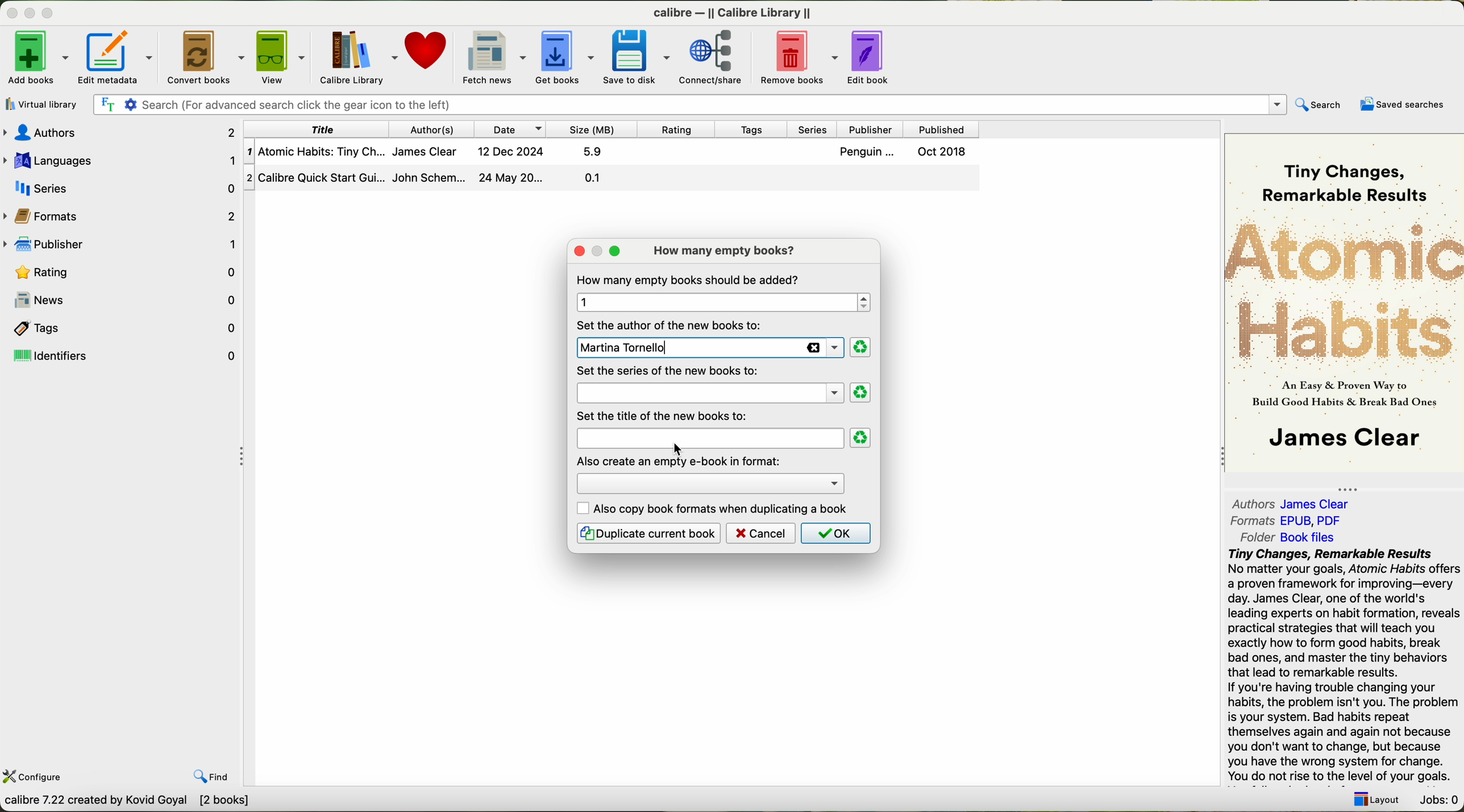 This screenshot has height=812, width=1464. What do you see at coordinates (437, 128) in the screenshot?
I see `authors` at bounding box center [437, 128].